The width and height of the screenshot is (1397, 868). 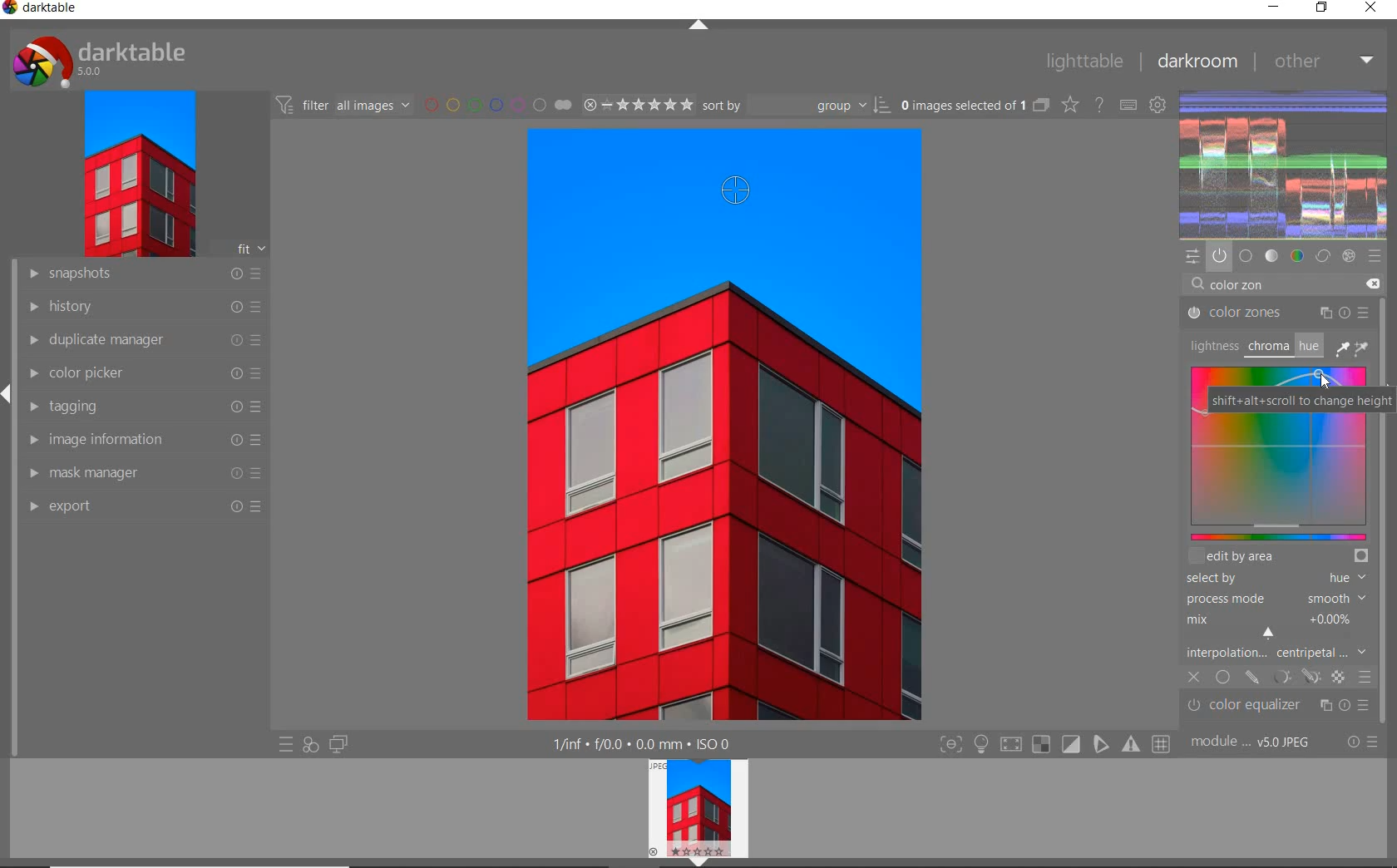 What do you see at coordinates (141, 308) in the screenshot?
I see `history` at bounding box center [141, 308].